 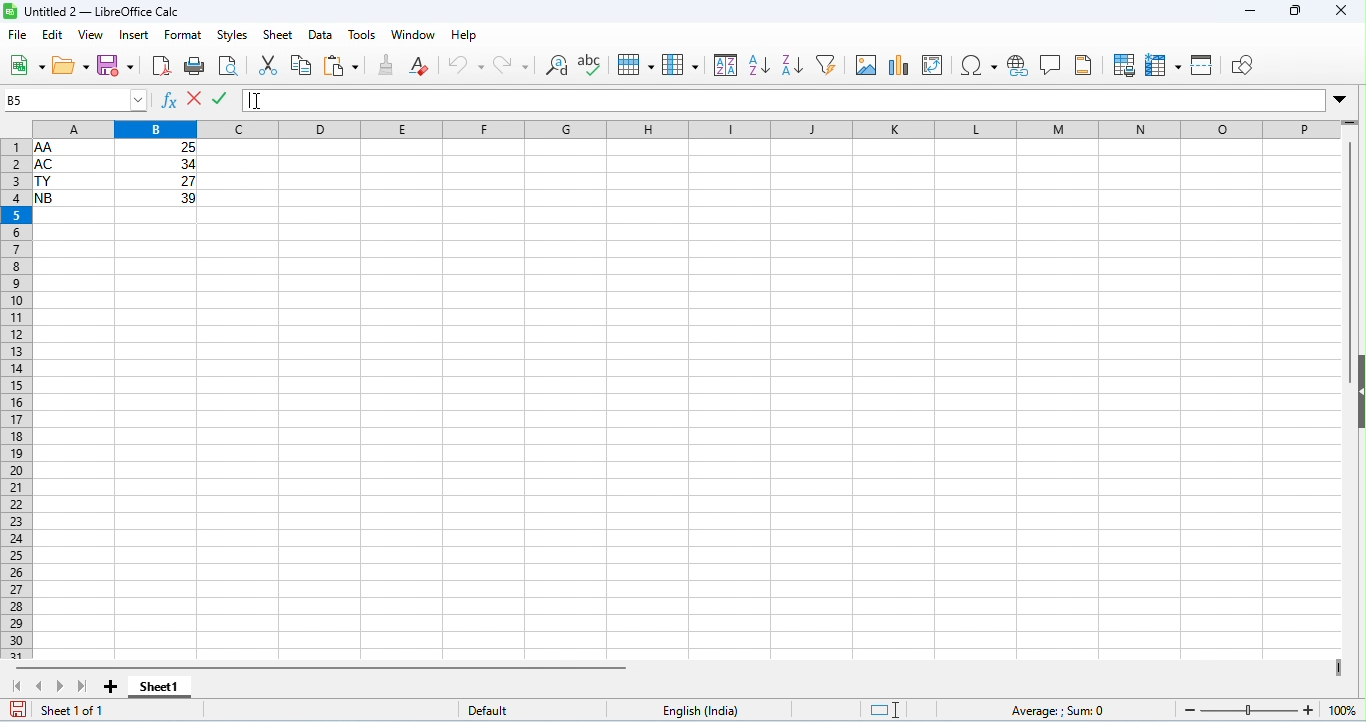 What do you see at coordinates (1242, 65) in the screenshot?
I see `show draw functions` at bounding box center [1242, 65].